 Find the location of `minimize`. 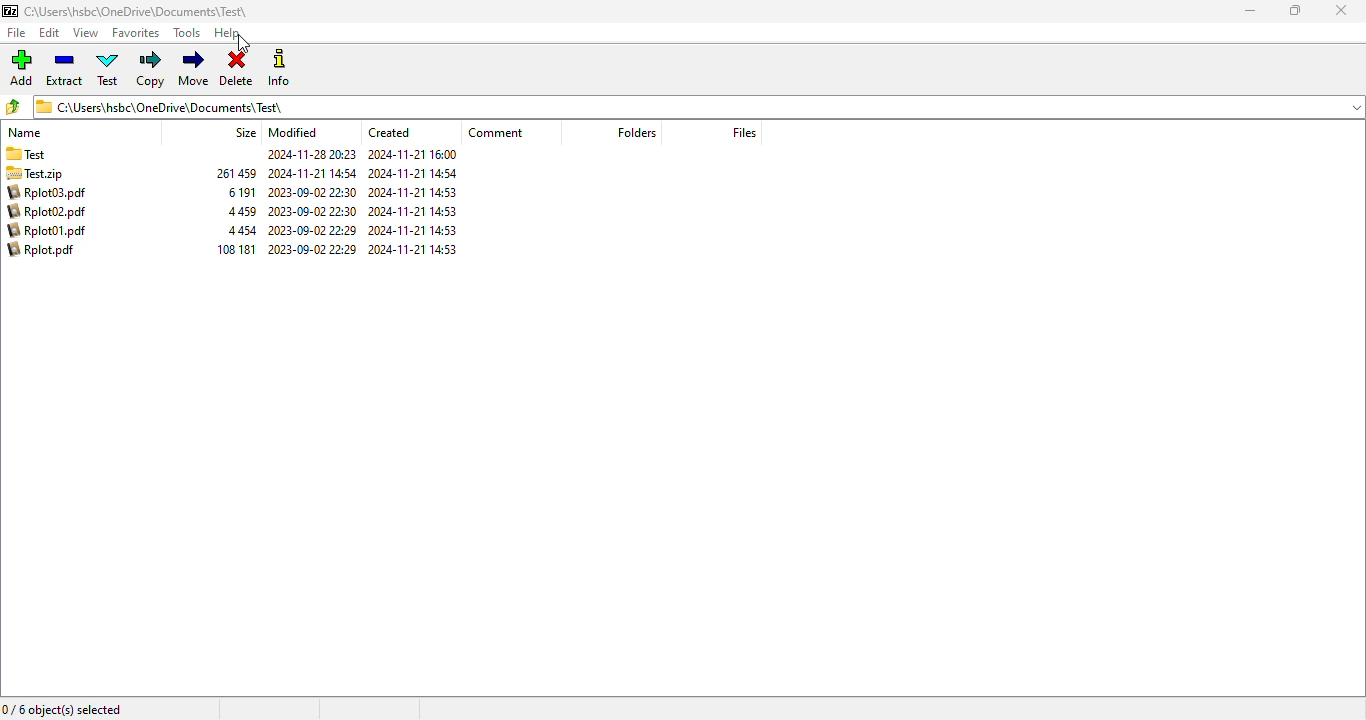

minimize is located at coordinates (1251, 10).